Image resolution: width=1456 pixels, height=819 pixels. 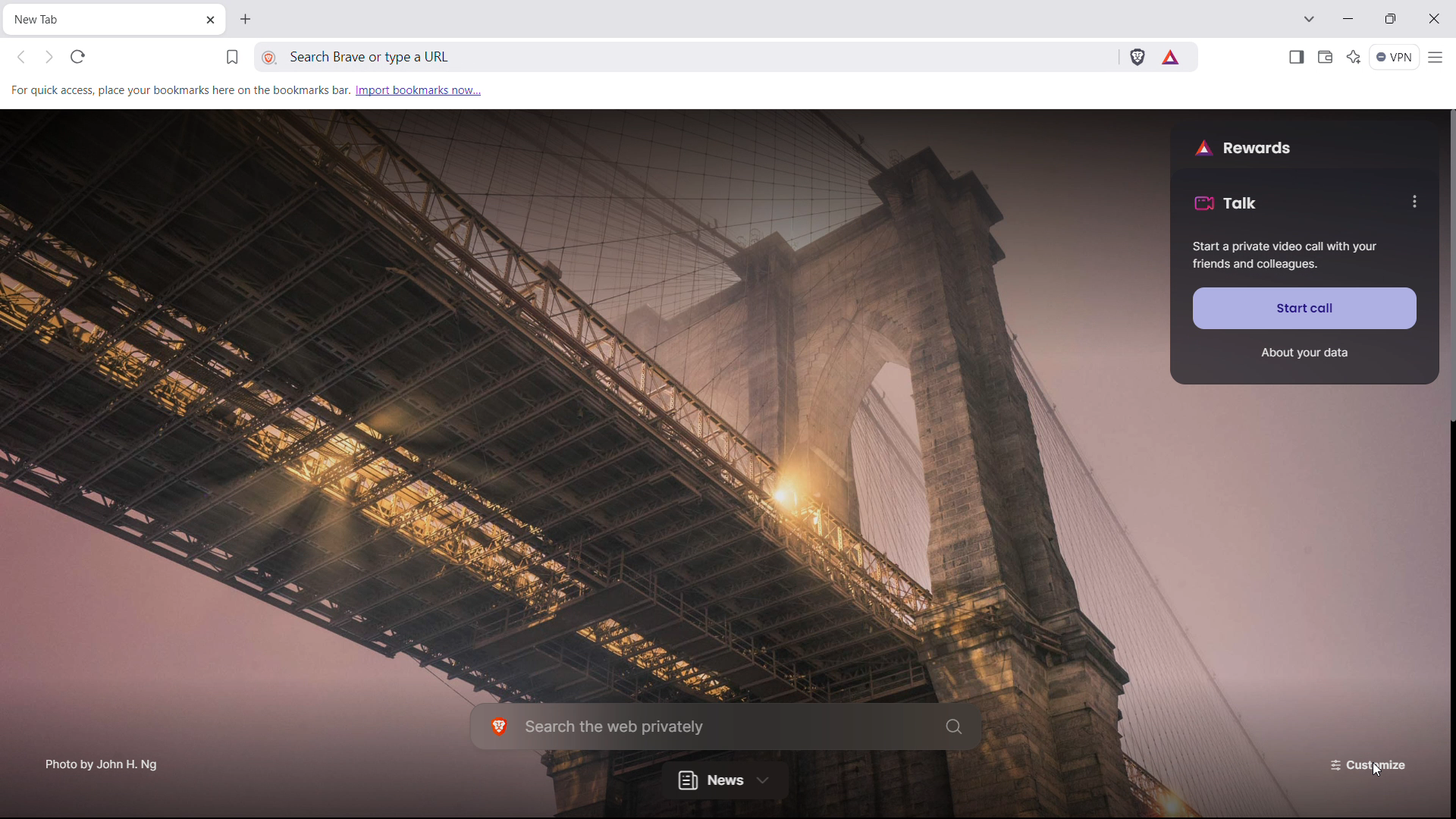 I want to click on news, so click(x=725, y=779).